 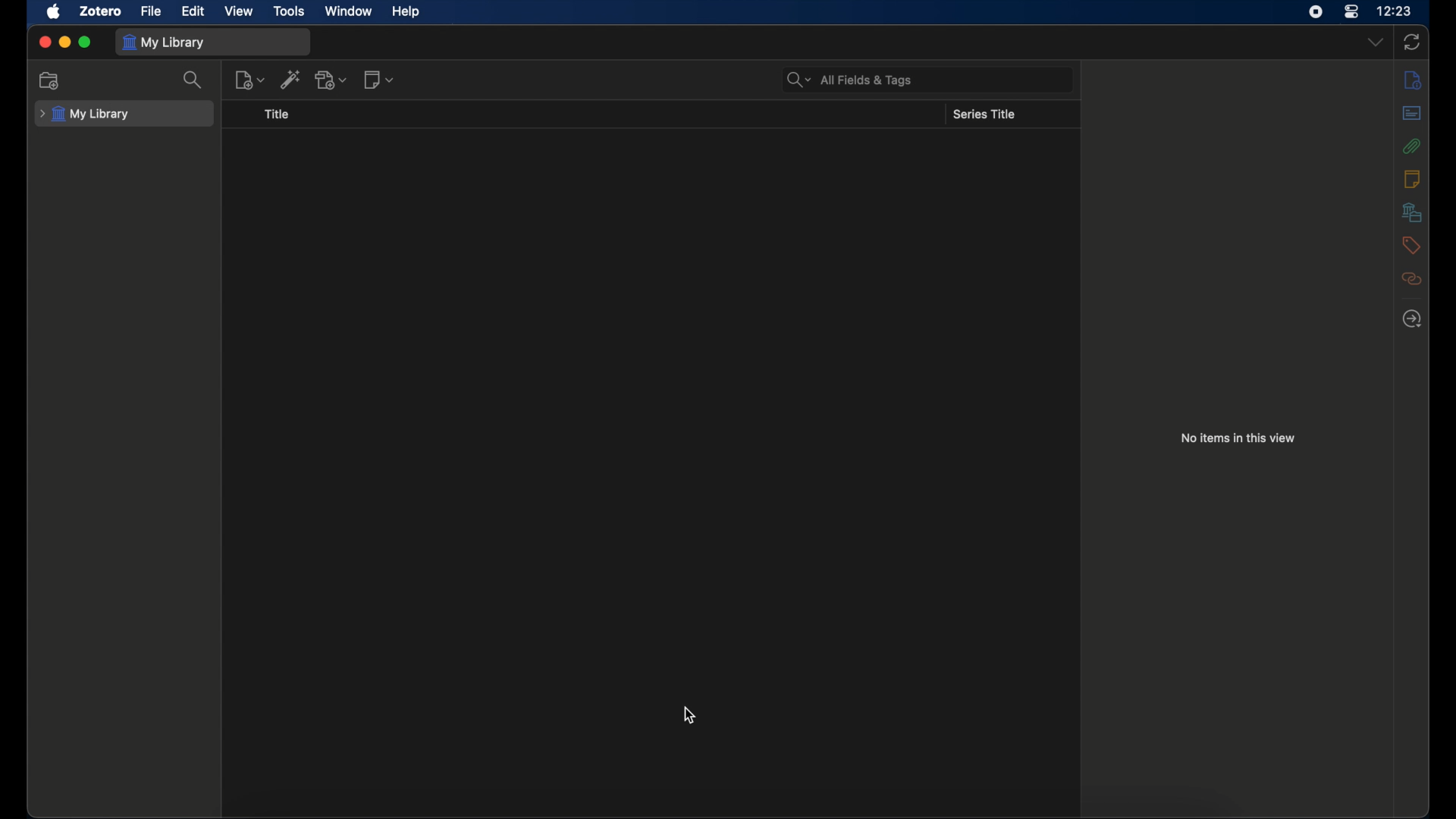 I want to click on time, so click(x=1395, y=10).